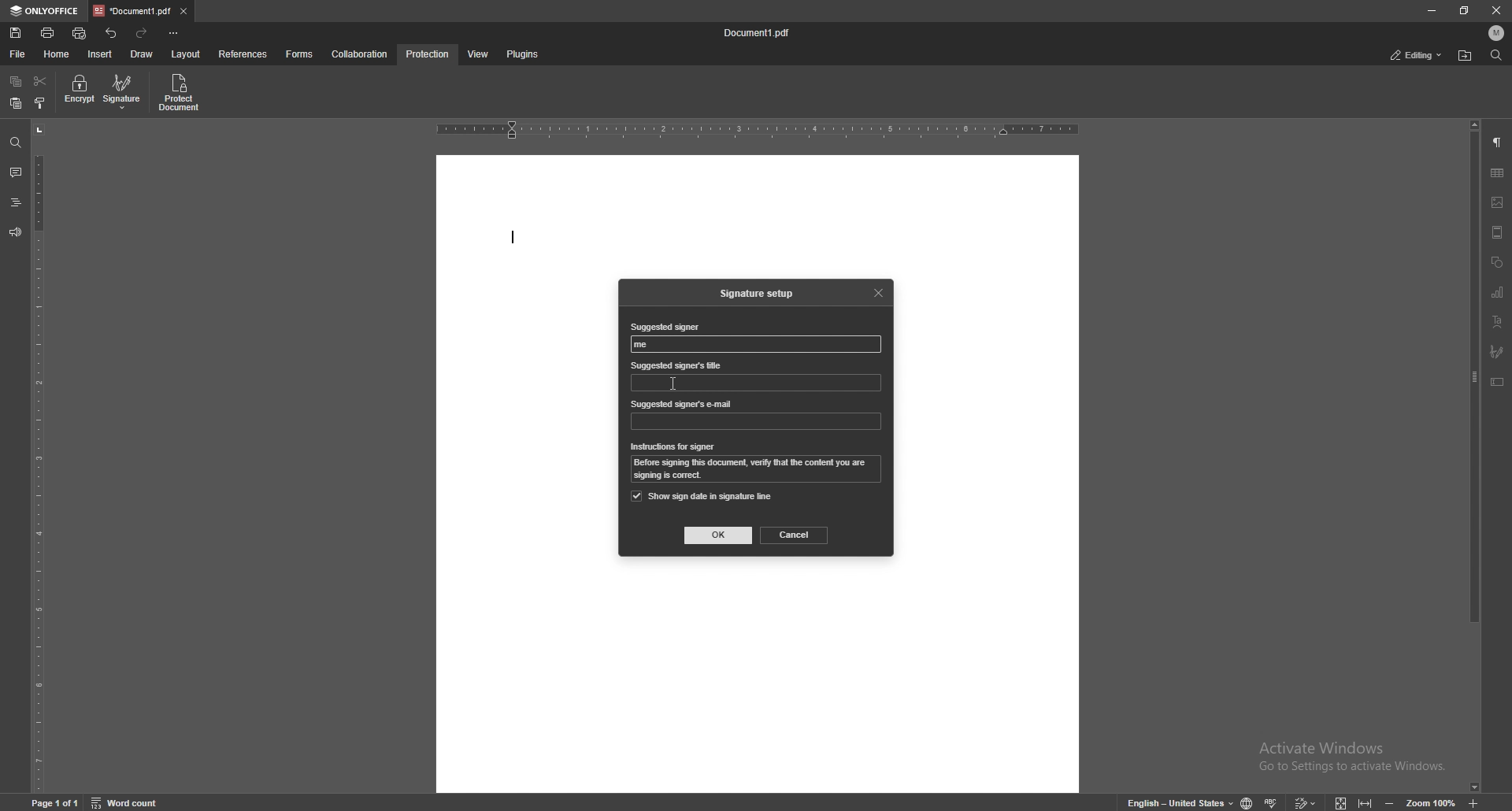 This screenshot has width=1512, height=811. What do you see at coordinates (132, 10) in the screenshot?
I see `tab` at bounding box center [132, 10].